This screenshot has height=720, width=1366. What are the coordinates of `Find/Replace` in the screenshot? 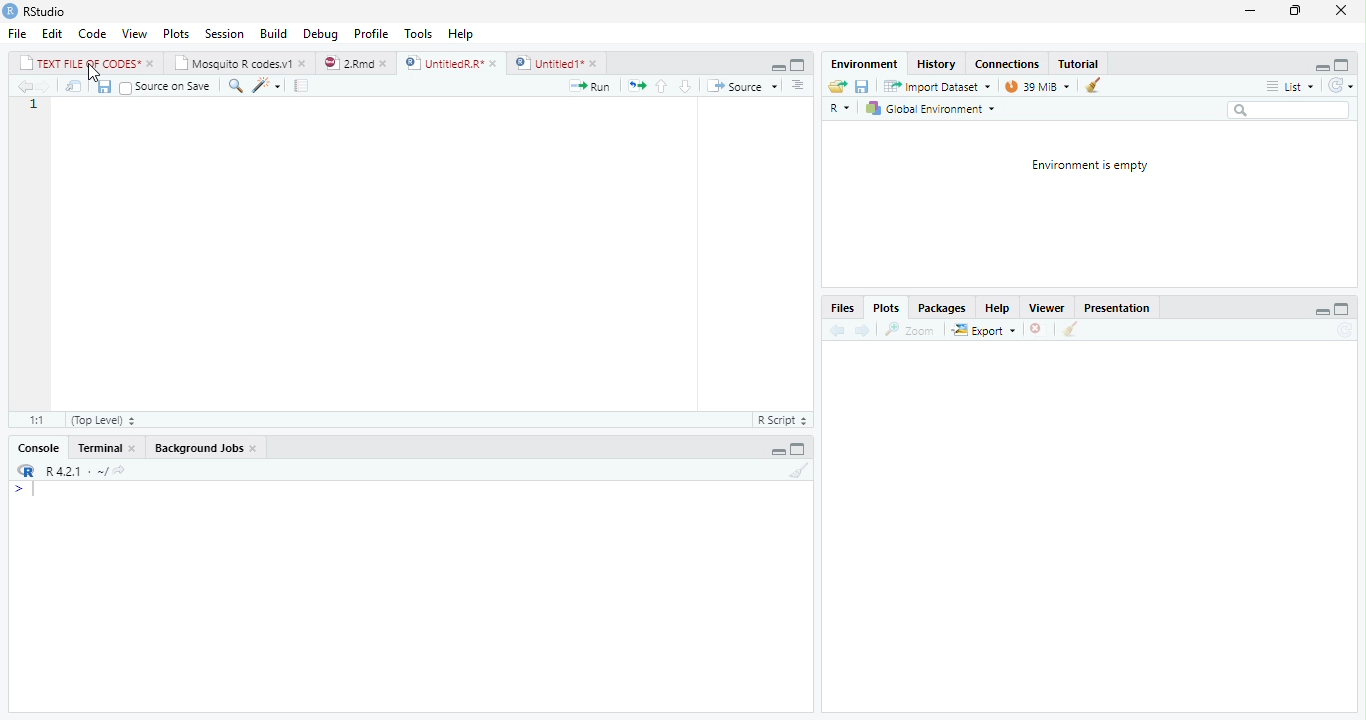 It's located at (233, 85).